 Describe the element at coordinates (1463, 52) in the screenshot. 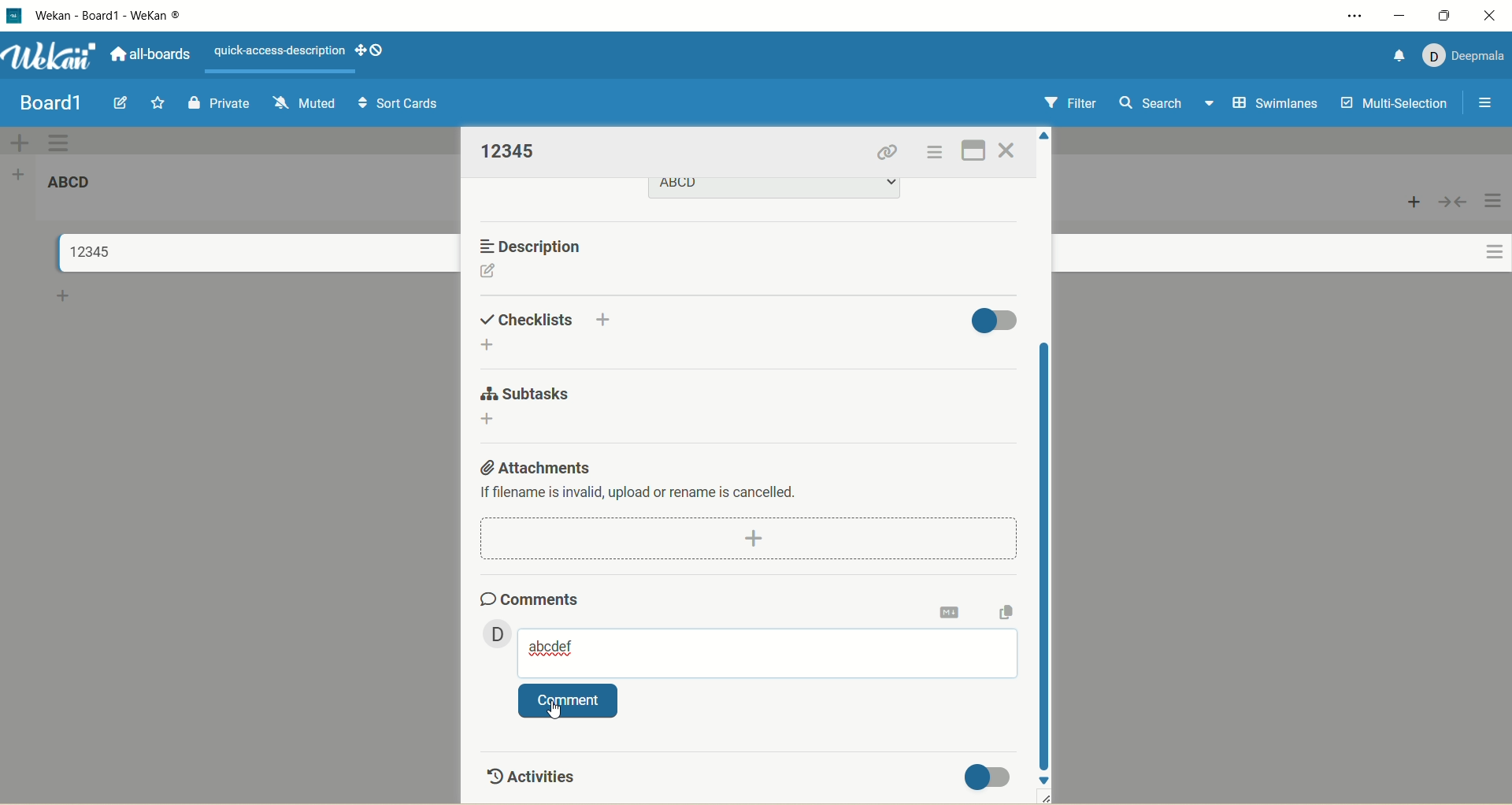

I see `account` at that location.